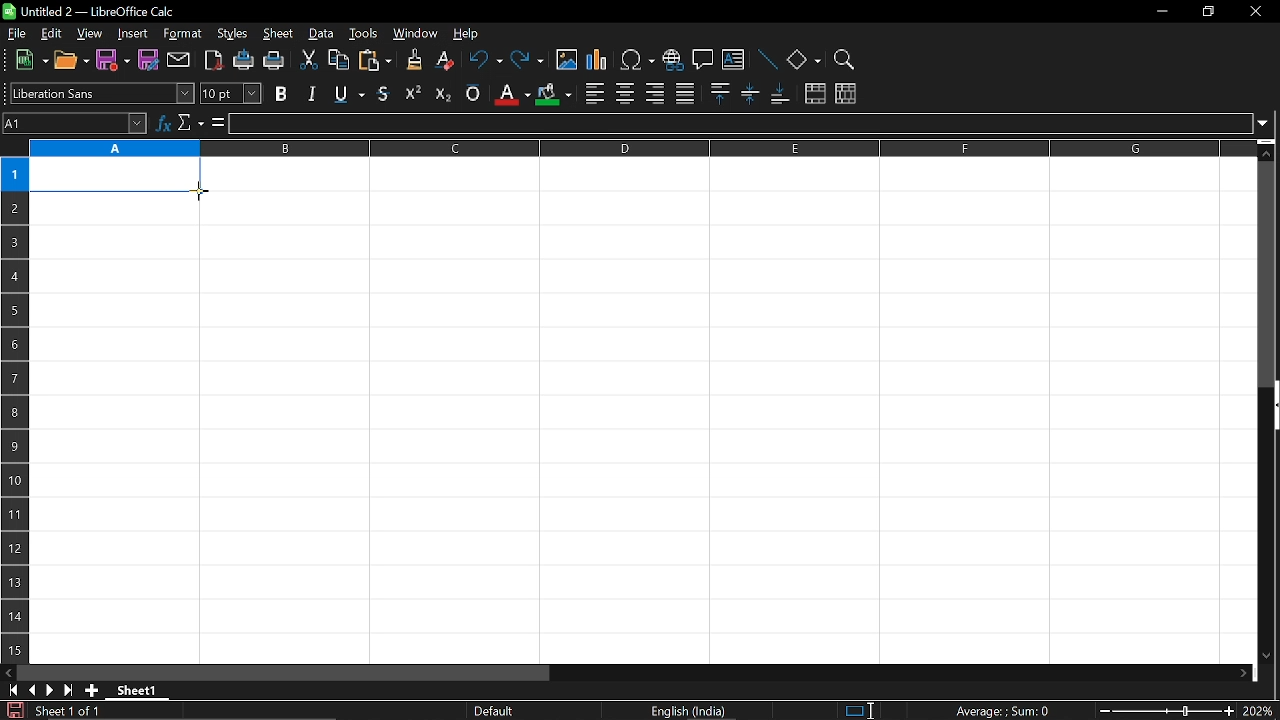  Describe the element at coordinates (71, 62) in the screenshot. I see `open` at that location.